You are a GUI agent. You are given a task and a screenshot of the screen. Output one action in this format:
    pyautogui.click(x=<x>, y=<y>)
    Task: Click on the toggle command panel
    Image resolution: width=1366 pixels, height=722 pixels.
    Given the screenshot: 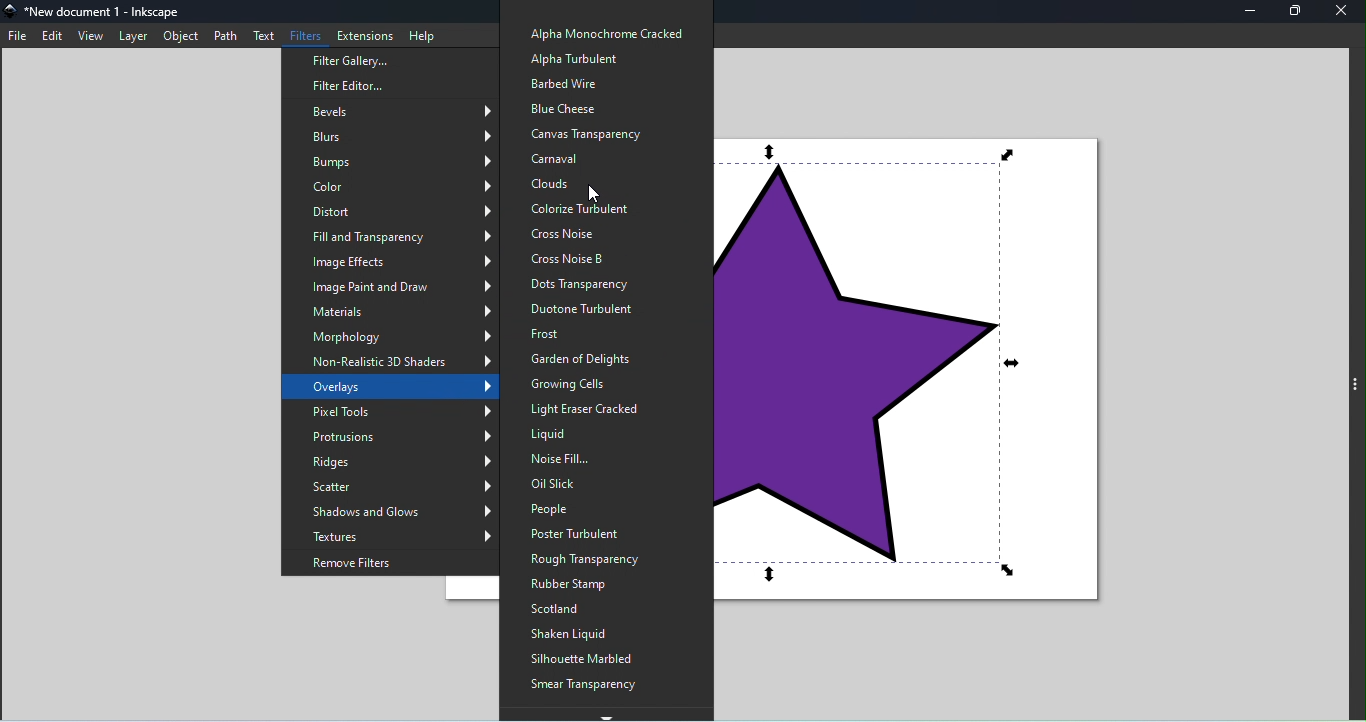 What is the action you would take?
    pyautogui.click(x=1357, y=388)
    